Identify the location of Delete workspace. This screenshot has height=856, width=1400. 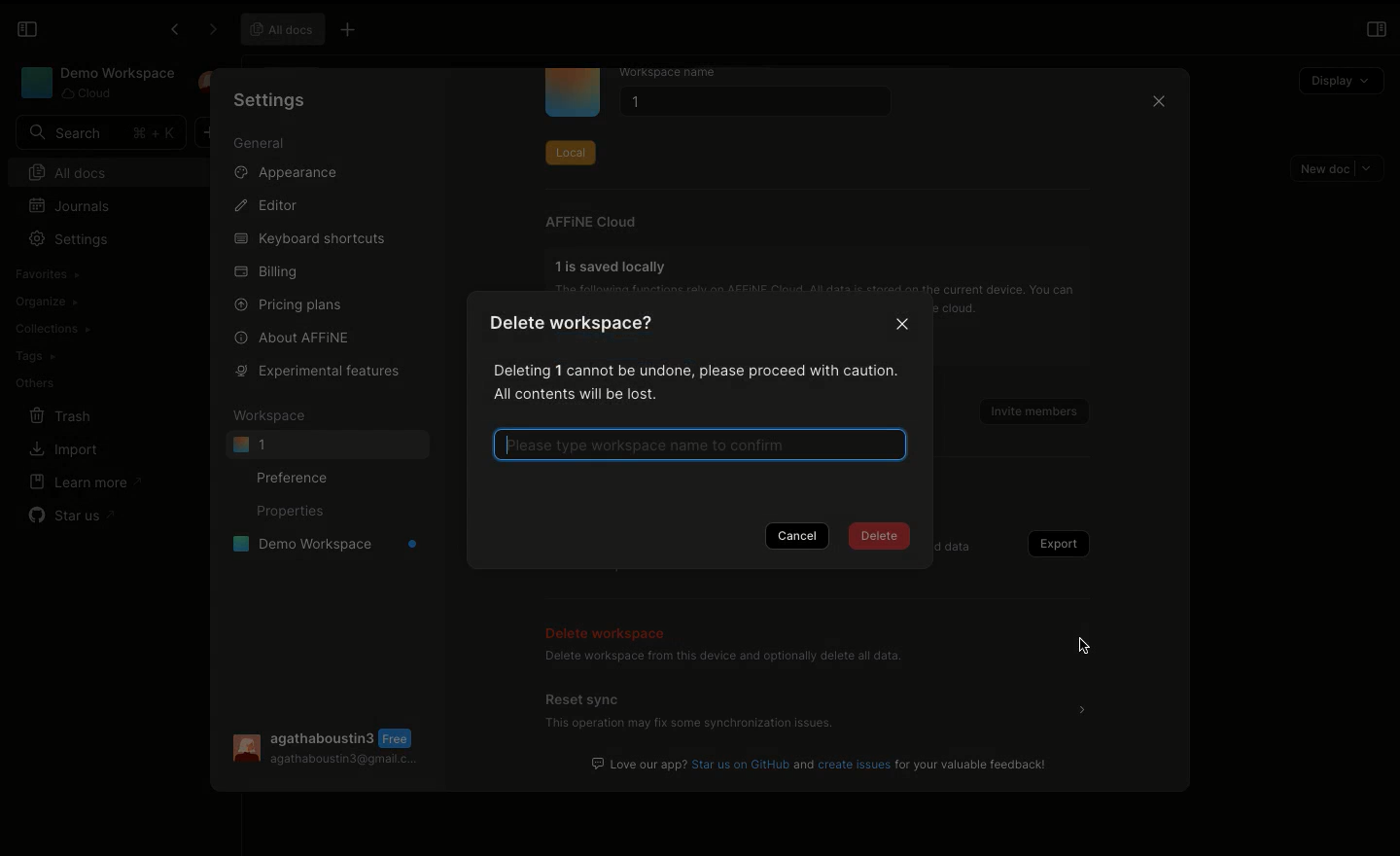
(610, 630).